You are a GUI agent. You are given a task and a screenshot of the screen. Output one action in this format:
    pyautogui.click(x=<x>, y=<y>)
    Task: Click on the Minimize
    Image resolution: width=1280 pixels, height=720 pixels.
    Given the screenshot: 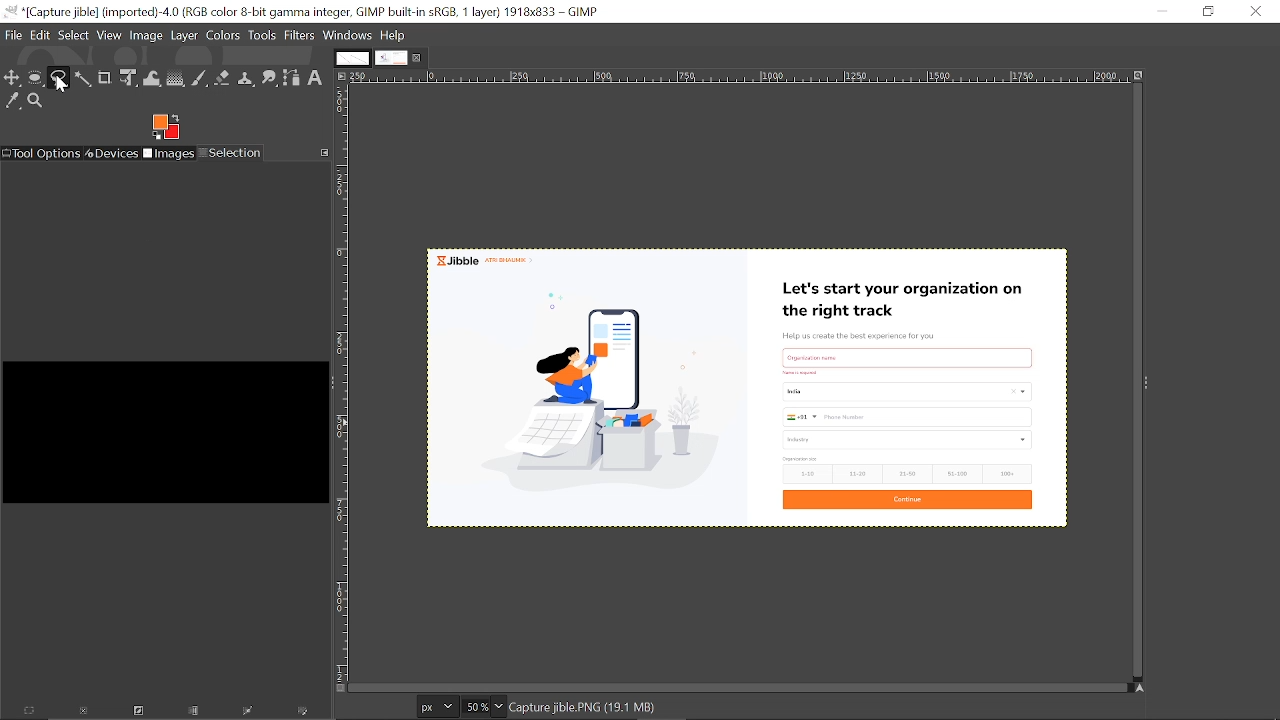 What is the action you would take?
    pyautogui.click(x=1162, y=11)
    